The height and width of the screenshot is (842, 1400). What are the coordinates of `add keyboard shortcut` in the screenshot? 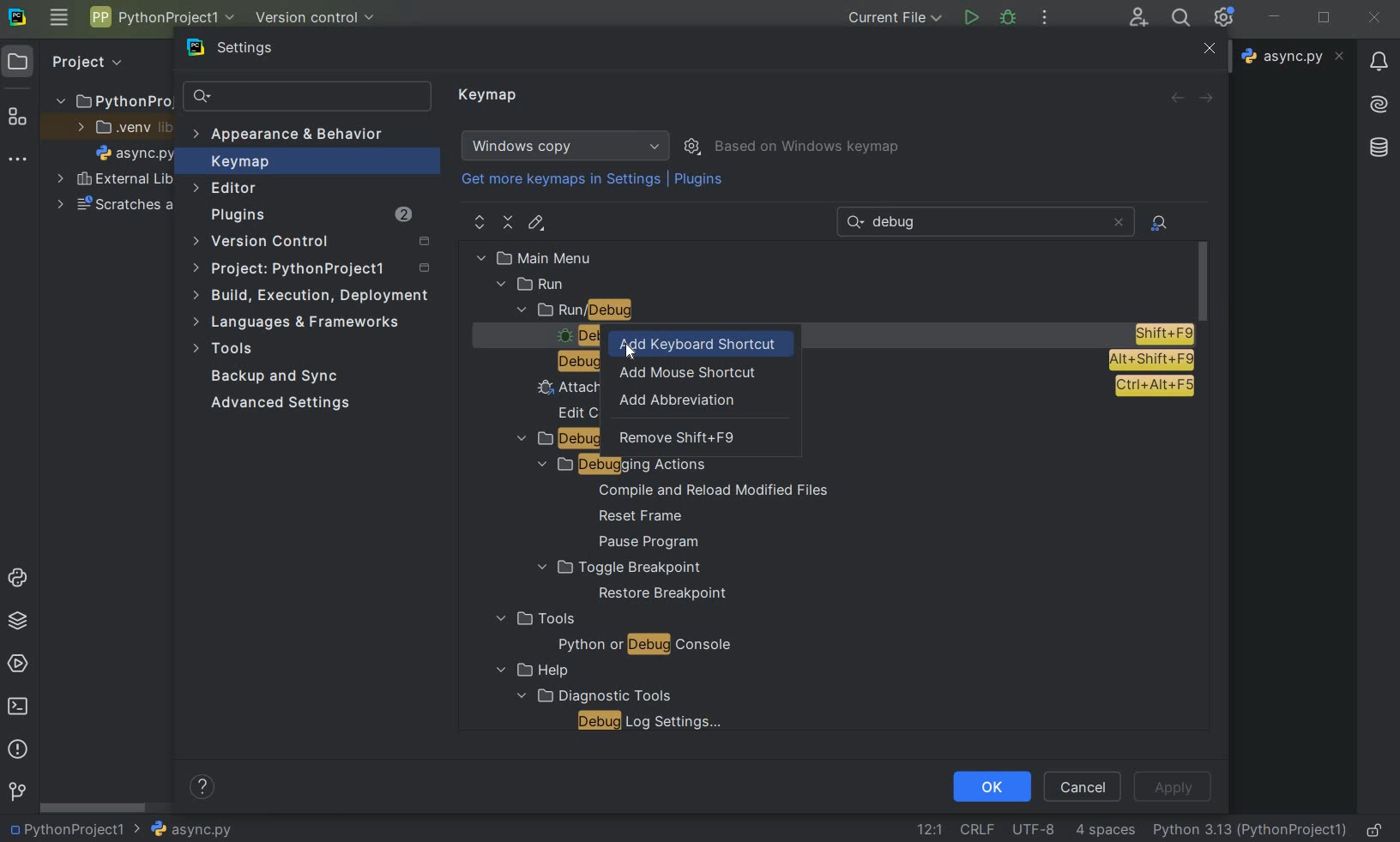 It's located at (703, 342).